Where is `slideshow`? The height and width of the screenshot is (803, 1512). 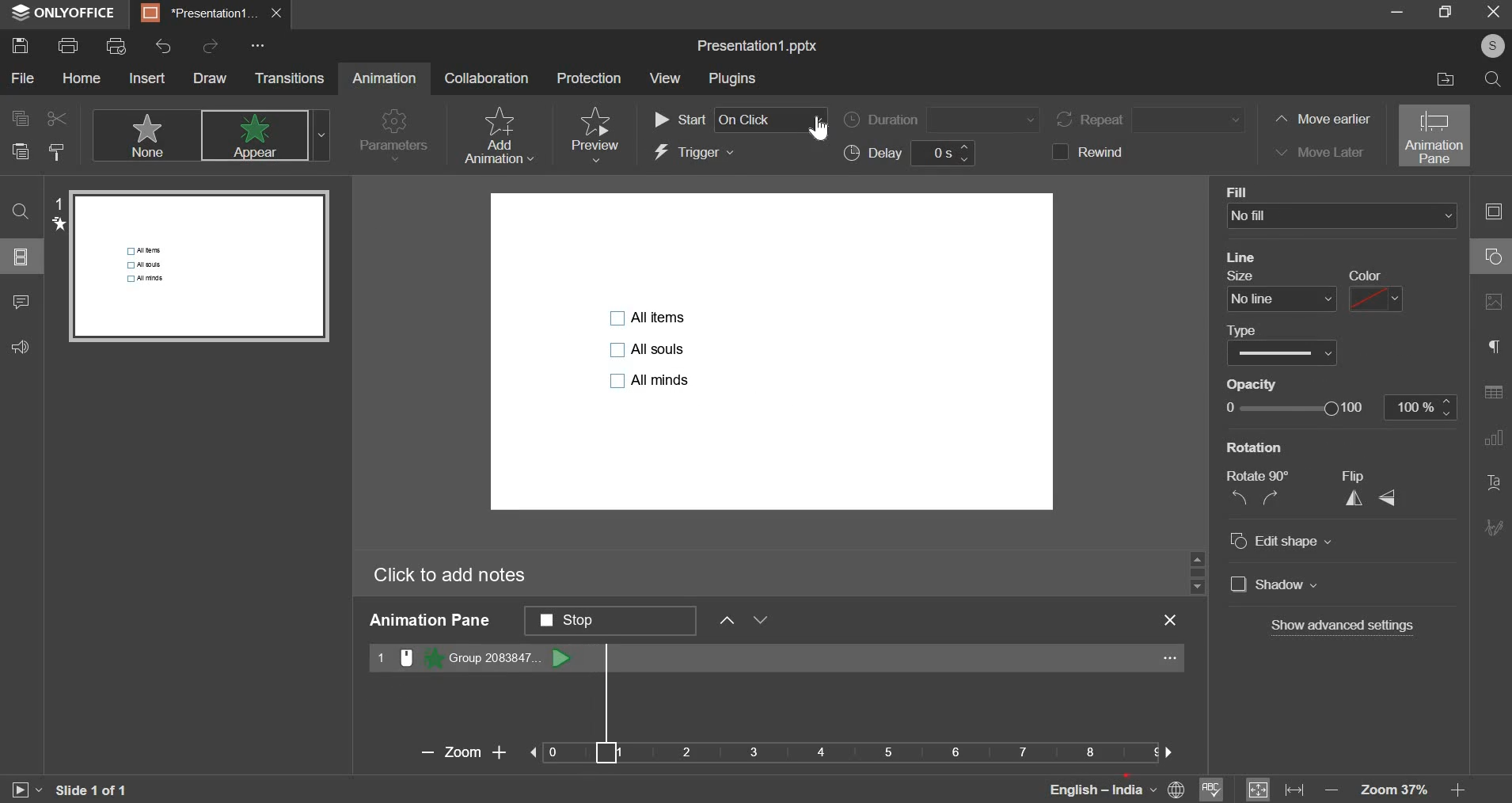
slideshow is located at coordinates (25, 788).